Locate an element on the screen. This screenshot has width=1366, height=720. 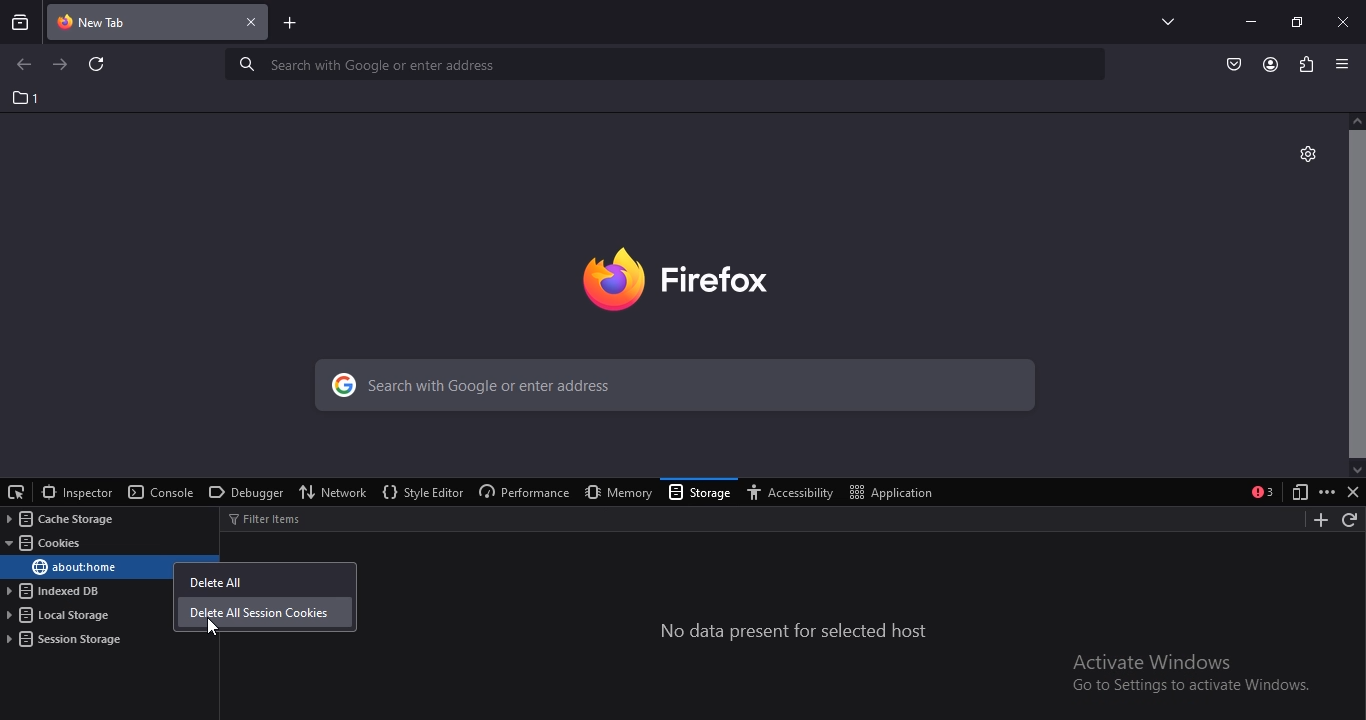
performance is located at coordinates (521, 493).